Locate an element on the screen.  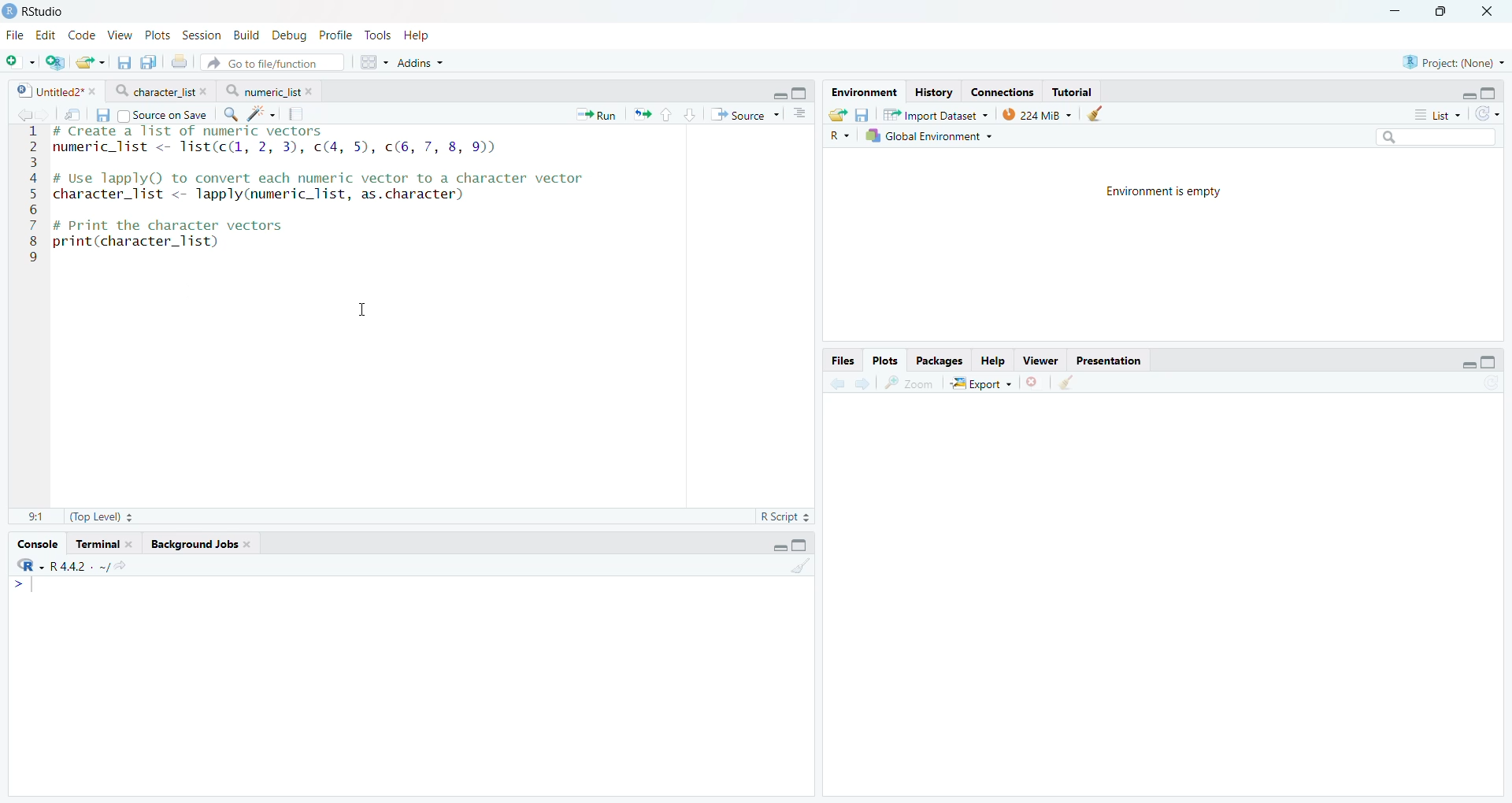
numeric_list is located at coordinates (270, 90).